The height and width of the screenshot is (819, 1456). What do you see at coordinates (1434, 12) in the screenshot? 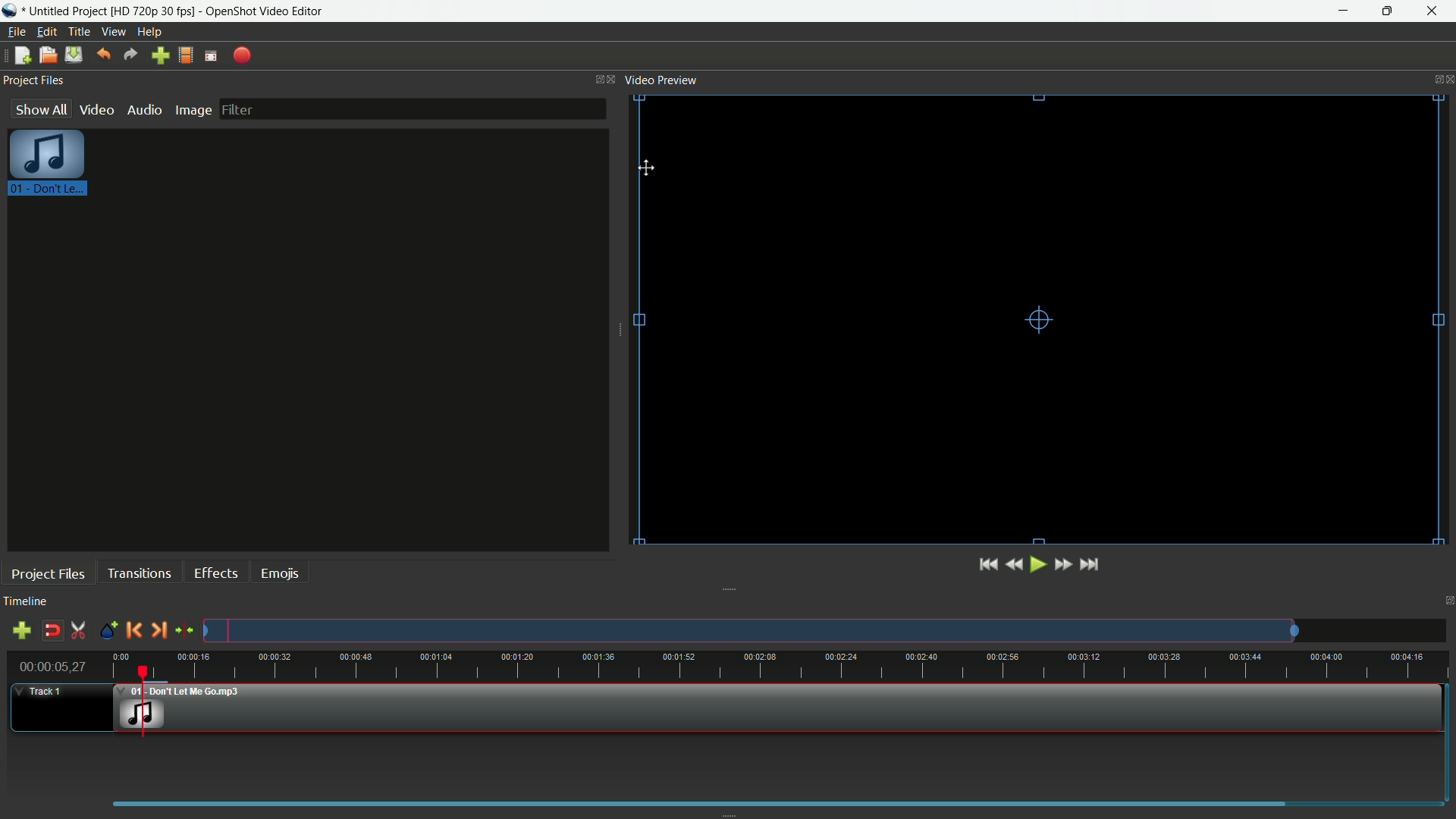
I see `close app` at bounding box center [1434, 12].